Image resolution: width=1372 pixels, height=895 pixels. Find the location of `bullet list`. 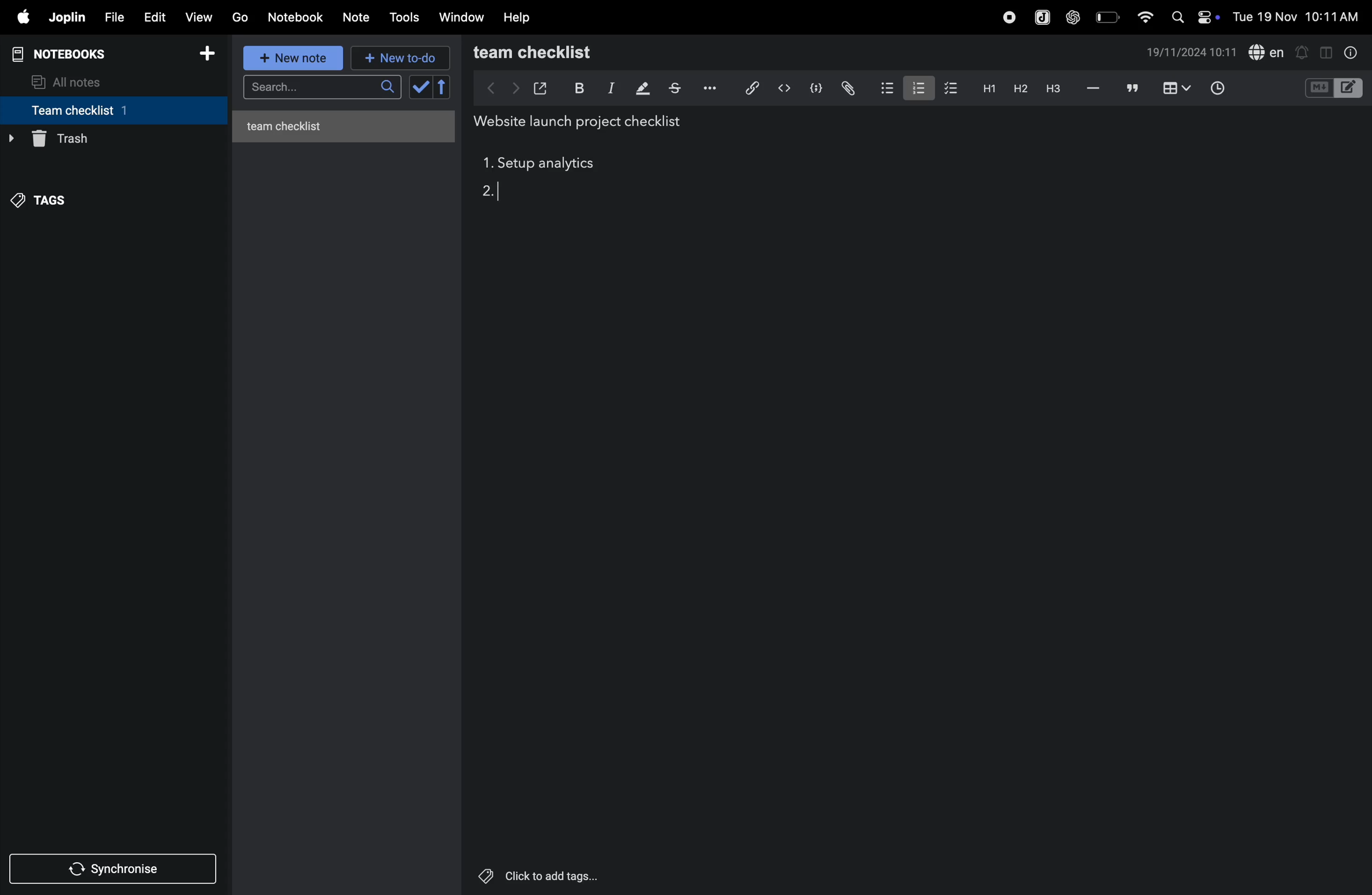

bullet list is located at coordinates (884, 88).